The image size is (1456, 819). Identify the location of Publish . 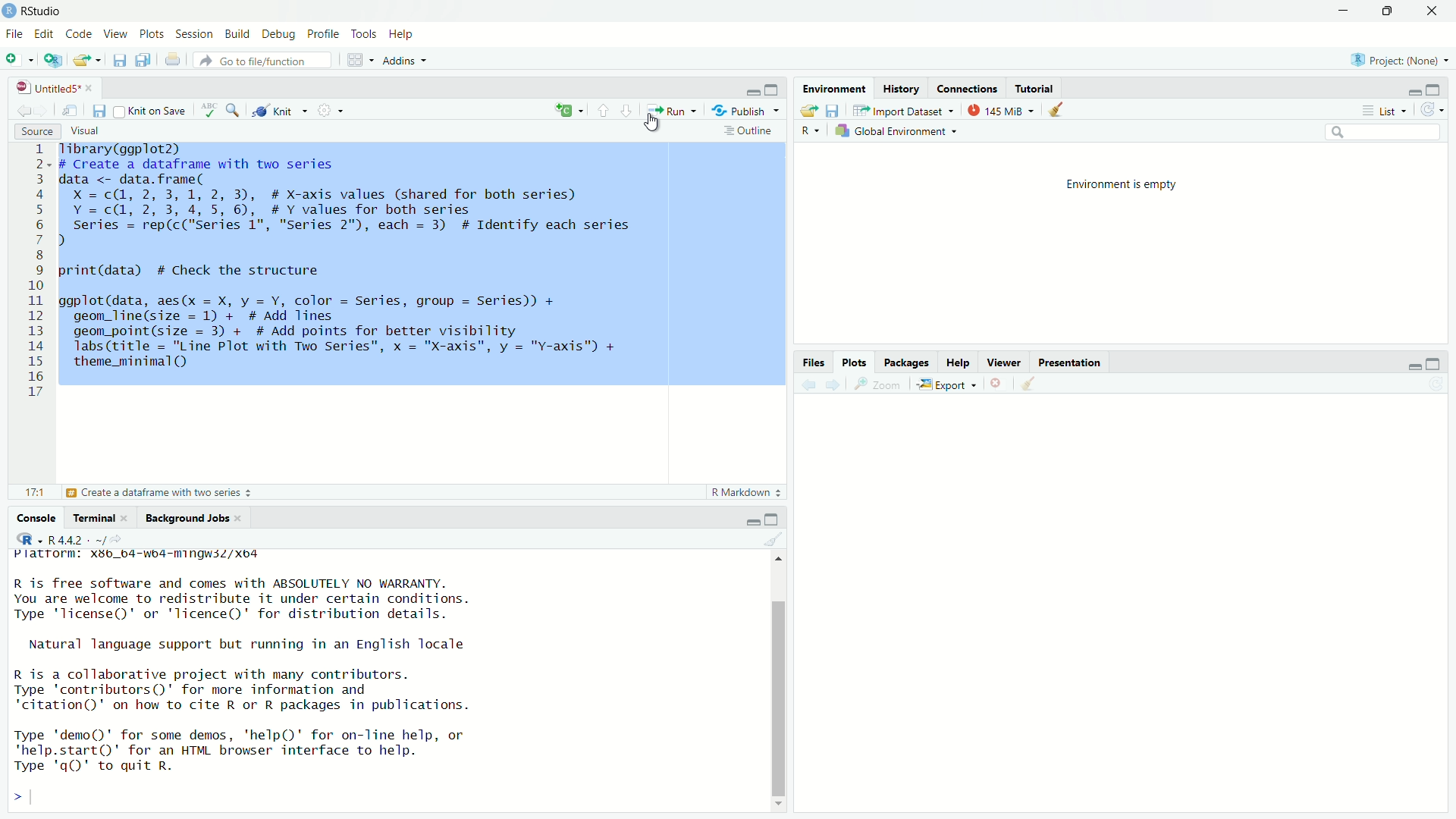
(747, 111).